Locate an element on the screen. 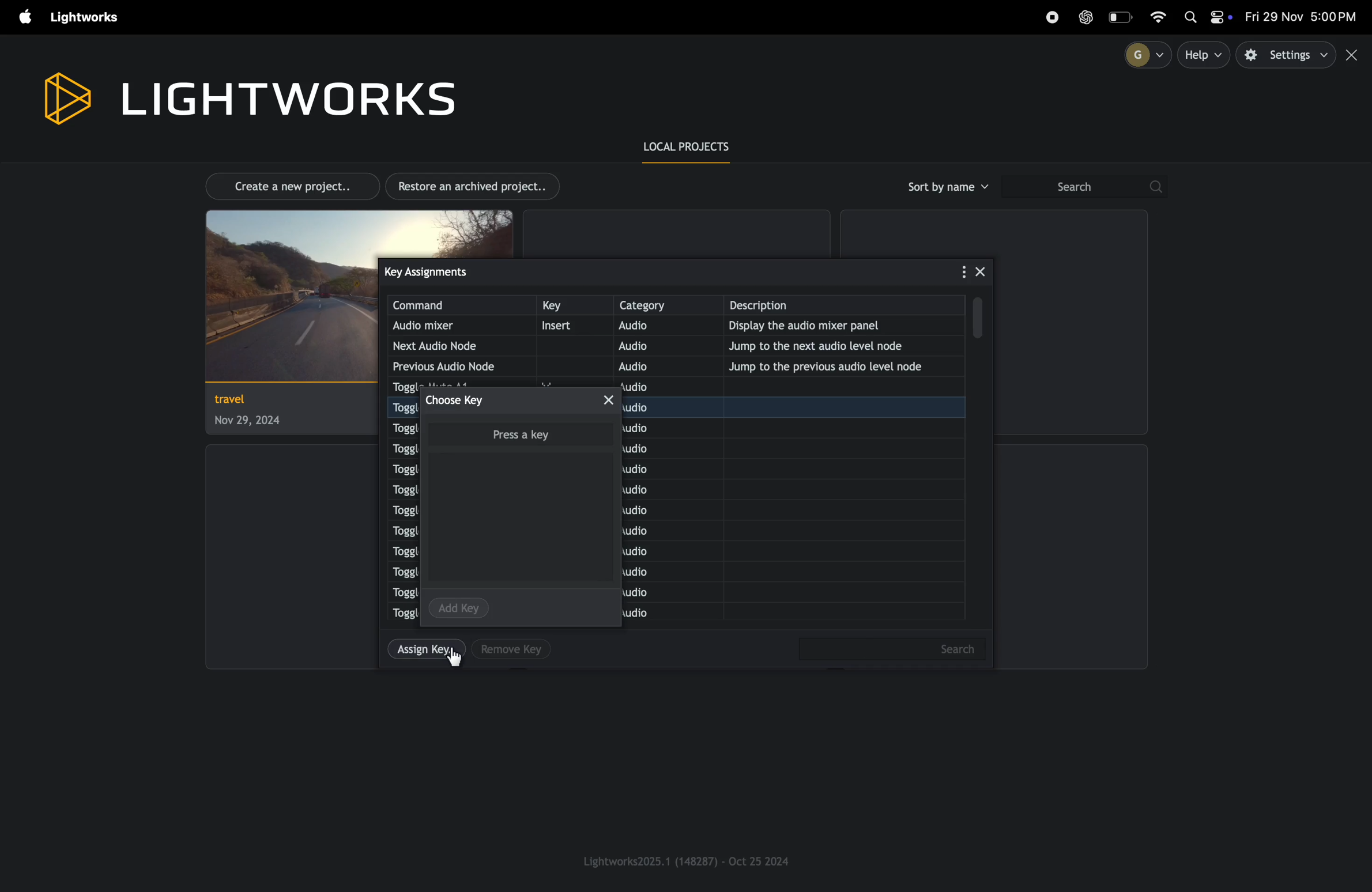 This screenshot has height=892, width=1372. light works is located at coordinates (247, 96).